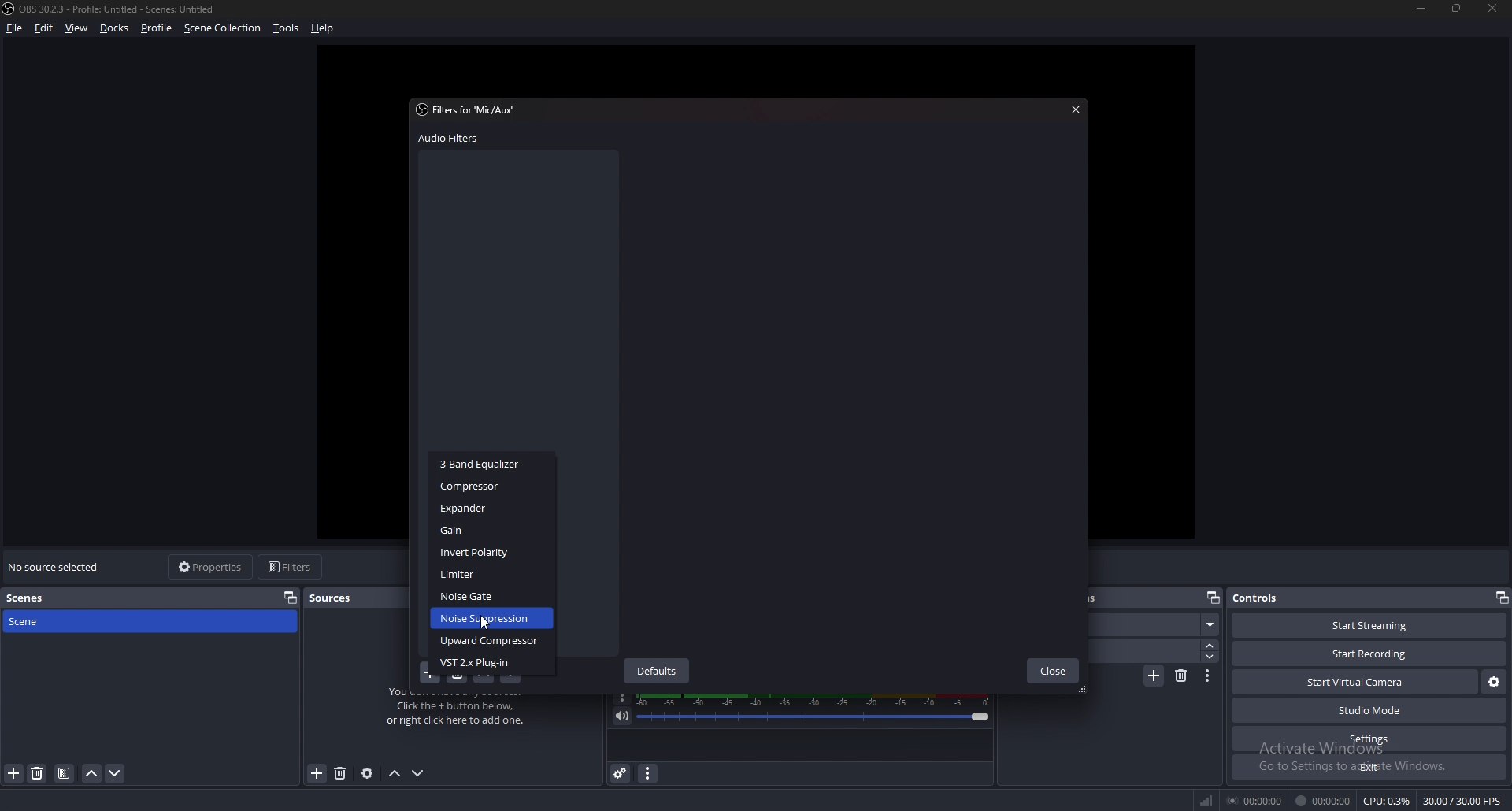 This screenshot has height=811, width=1512. Describe the element at coordinates (494, 662) in the screenshot. I see `VST 2.x Plug-in` at that location.